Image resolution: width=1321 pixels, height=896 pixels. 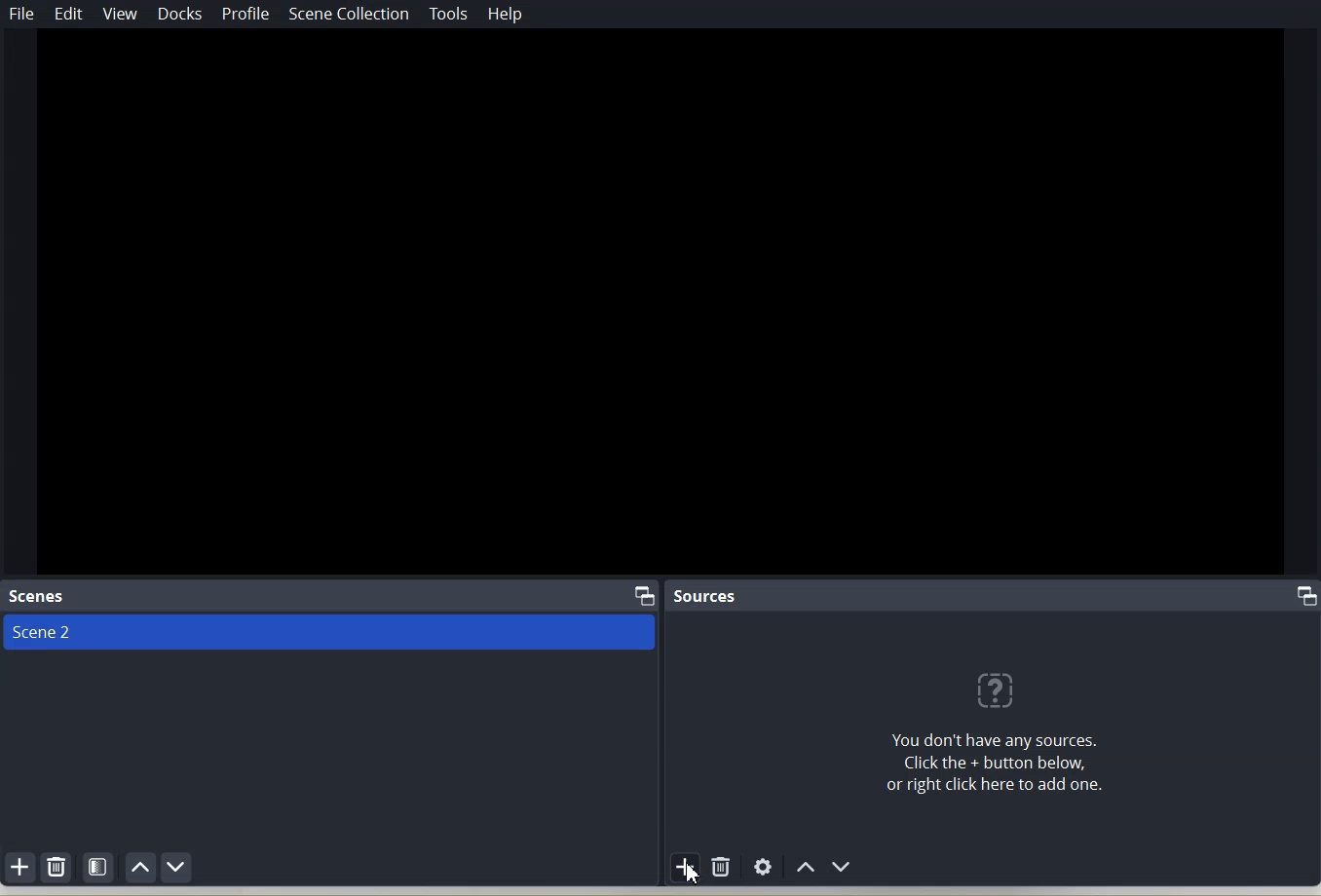 I want to click on Remove selected Scene, so click(x=57, y=868).